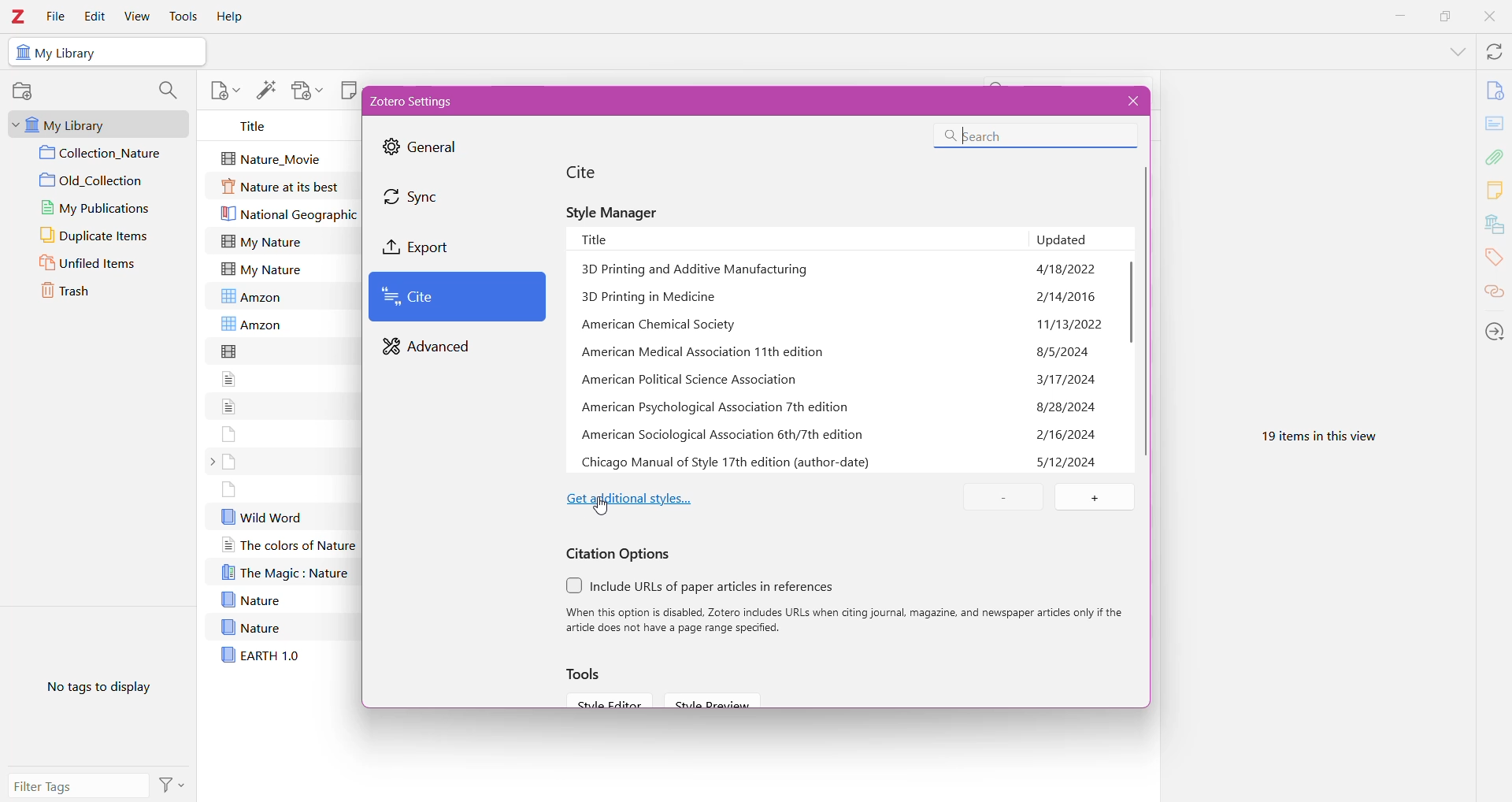 The image size is (1512, 802). I want to click on American Chemical Society, so click(663, 326).